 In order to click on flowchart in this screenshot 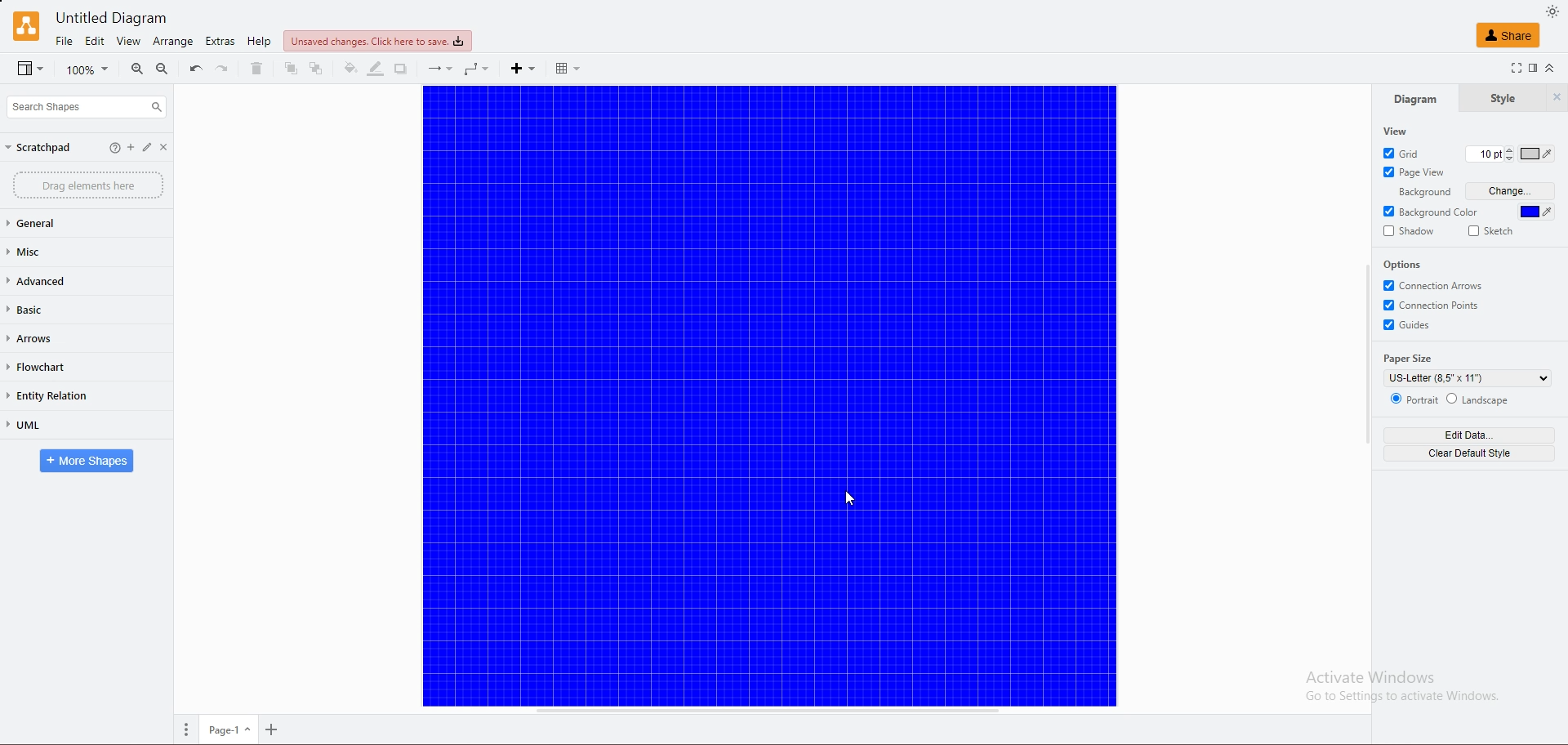, I will do `click(60, 368)`.